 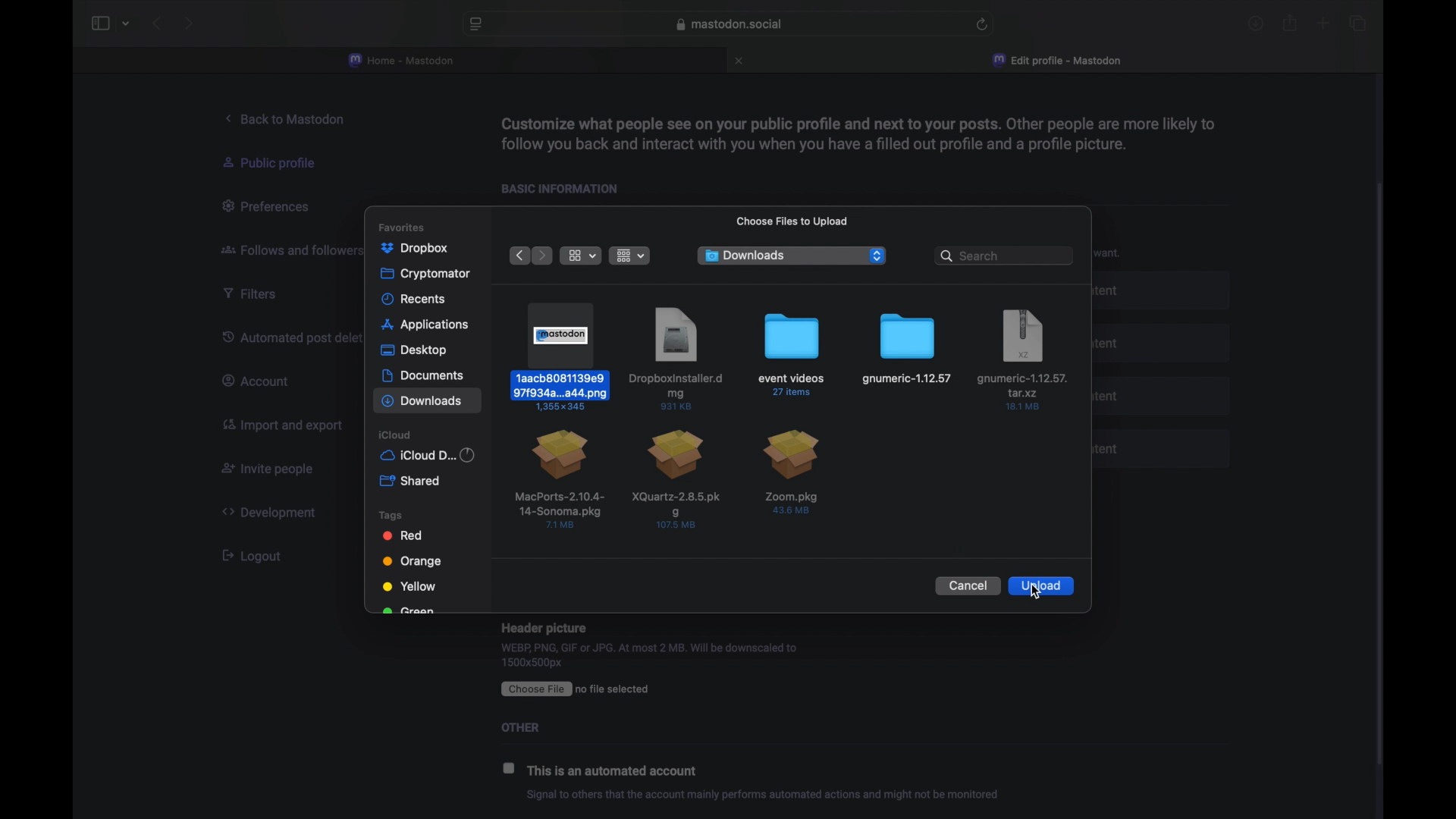 I want to click on file, so click(x=792, y=355).